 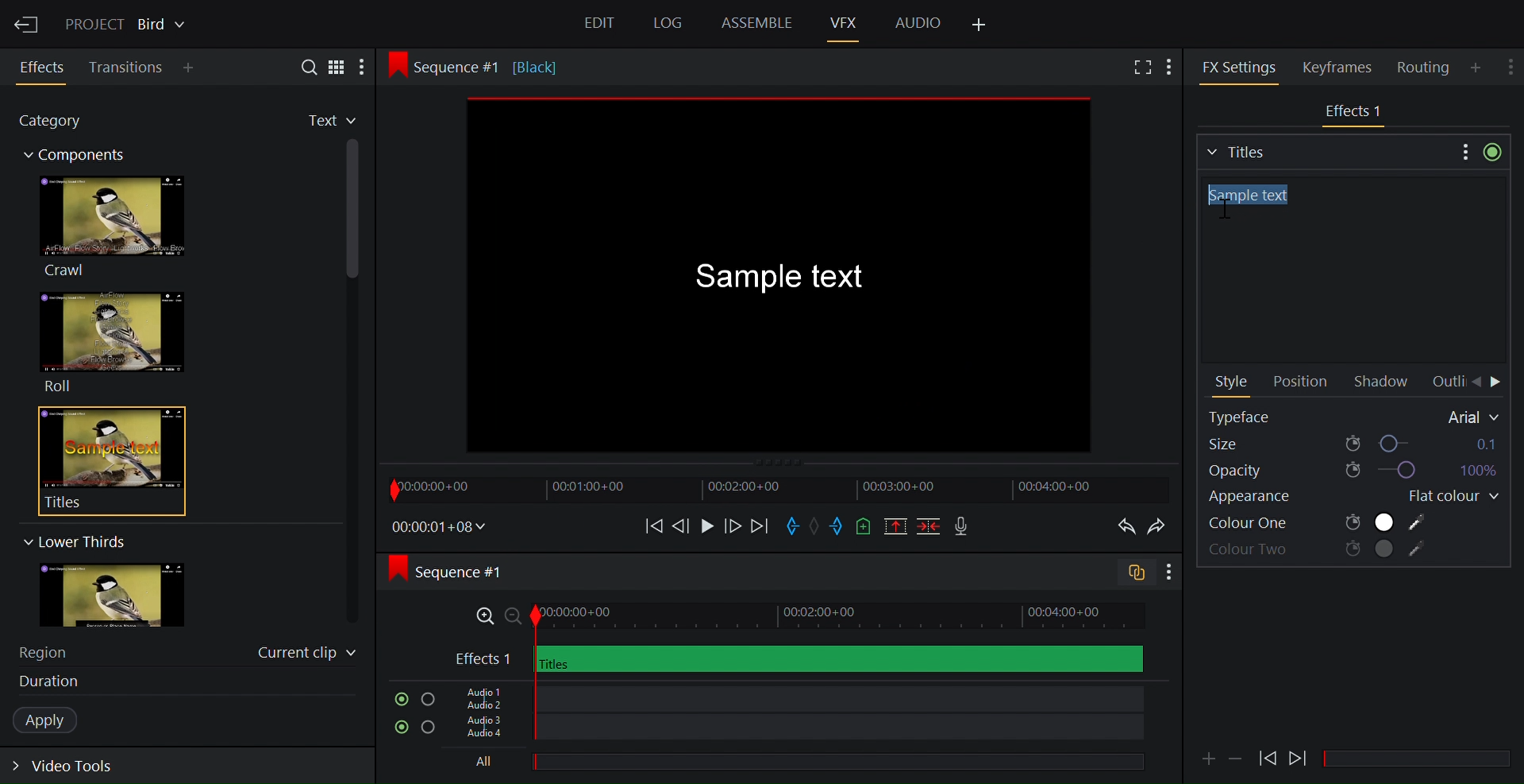 What do you see at coordinates (1463, 151) in the screenshot?
I see `Show settings menu` at bounding box center [1463, 151].